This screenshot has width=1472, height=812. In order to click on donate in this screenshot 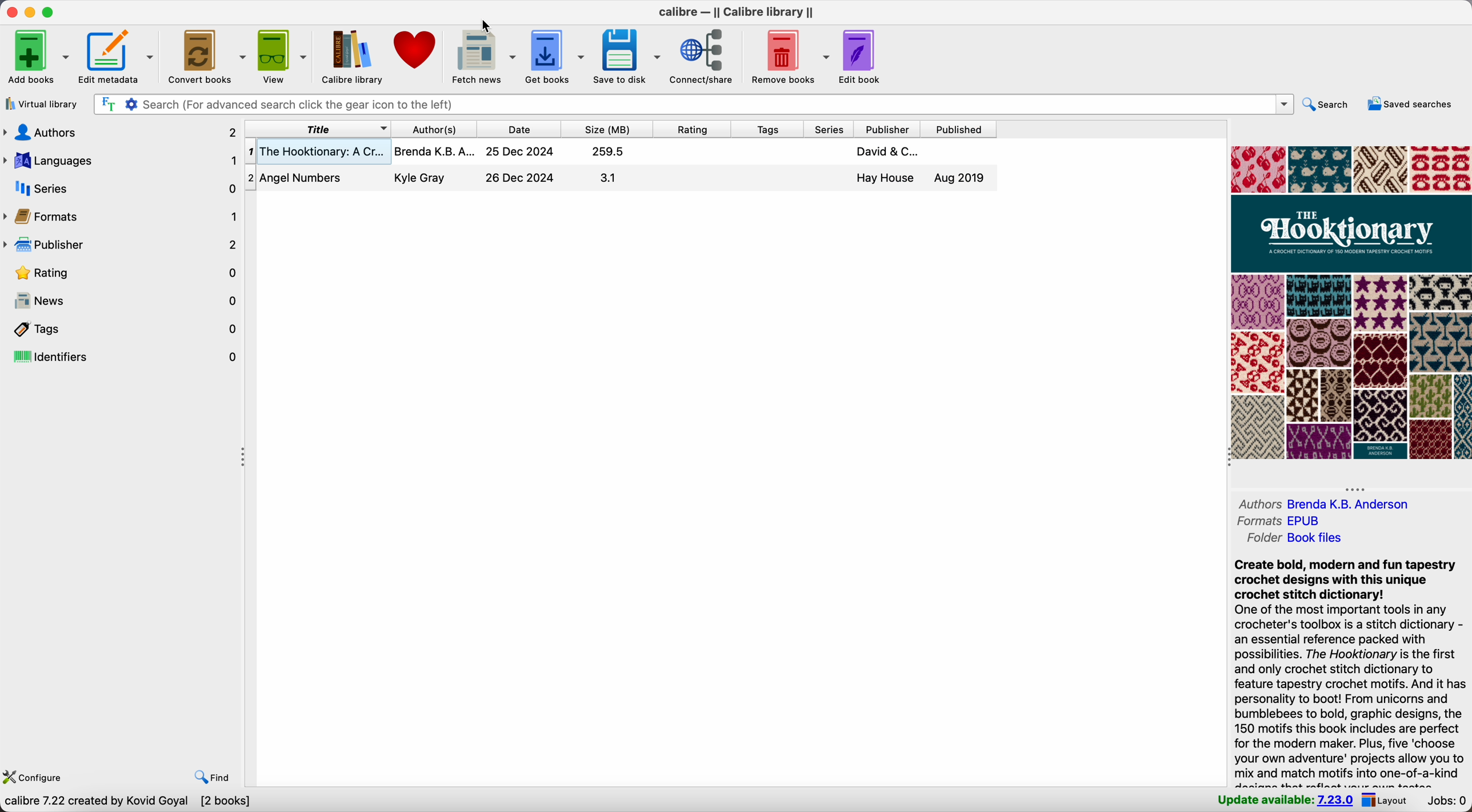, I will do `click(417, 50)`.